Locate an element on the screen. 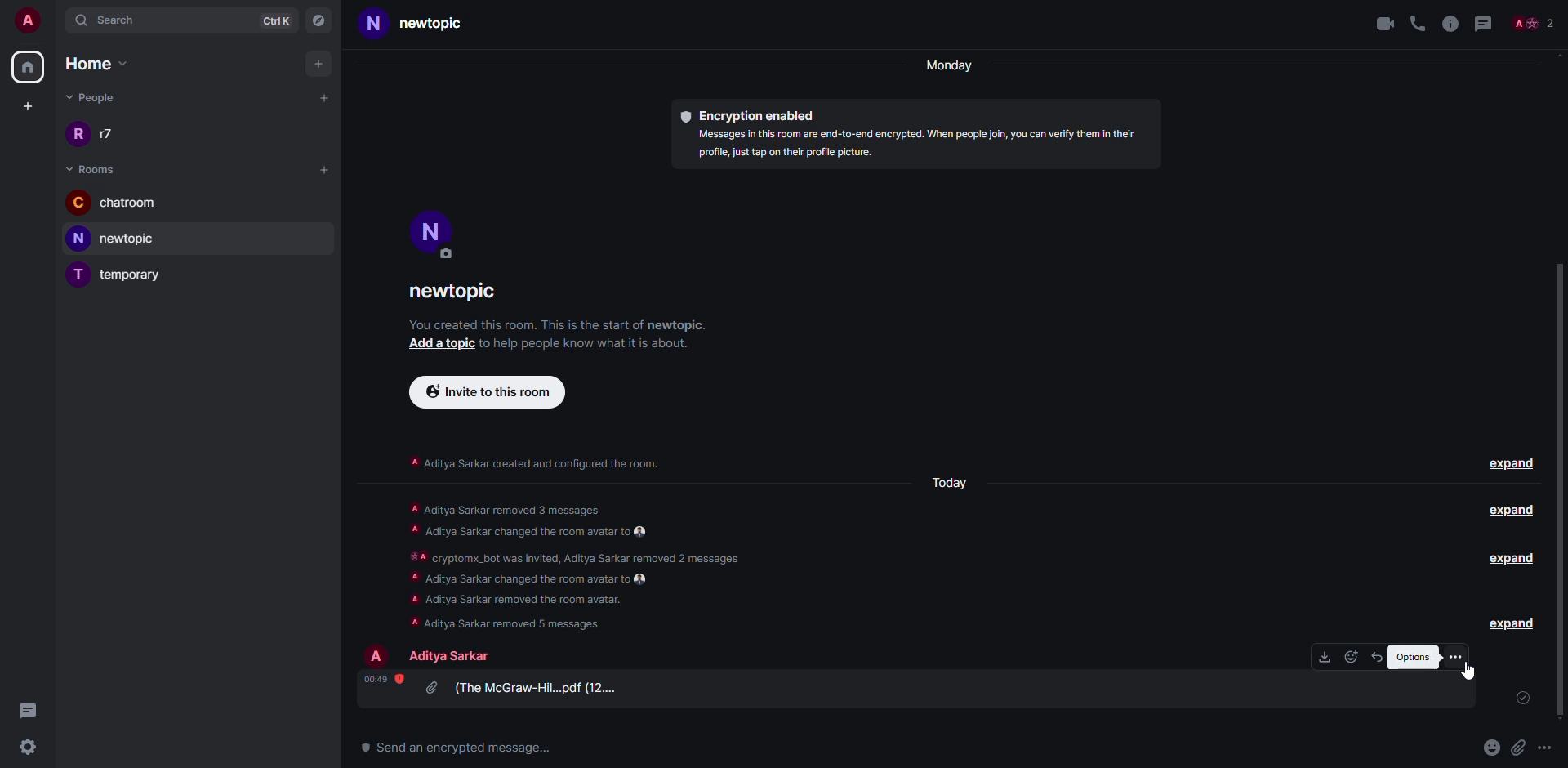  Monday is located at coordinates (951, 66).